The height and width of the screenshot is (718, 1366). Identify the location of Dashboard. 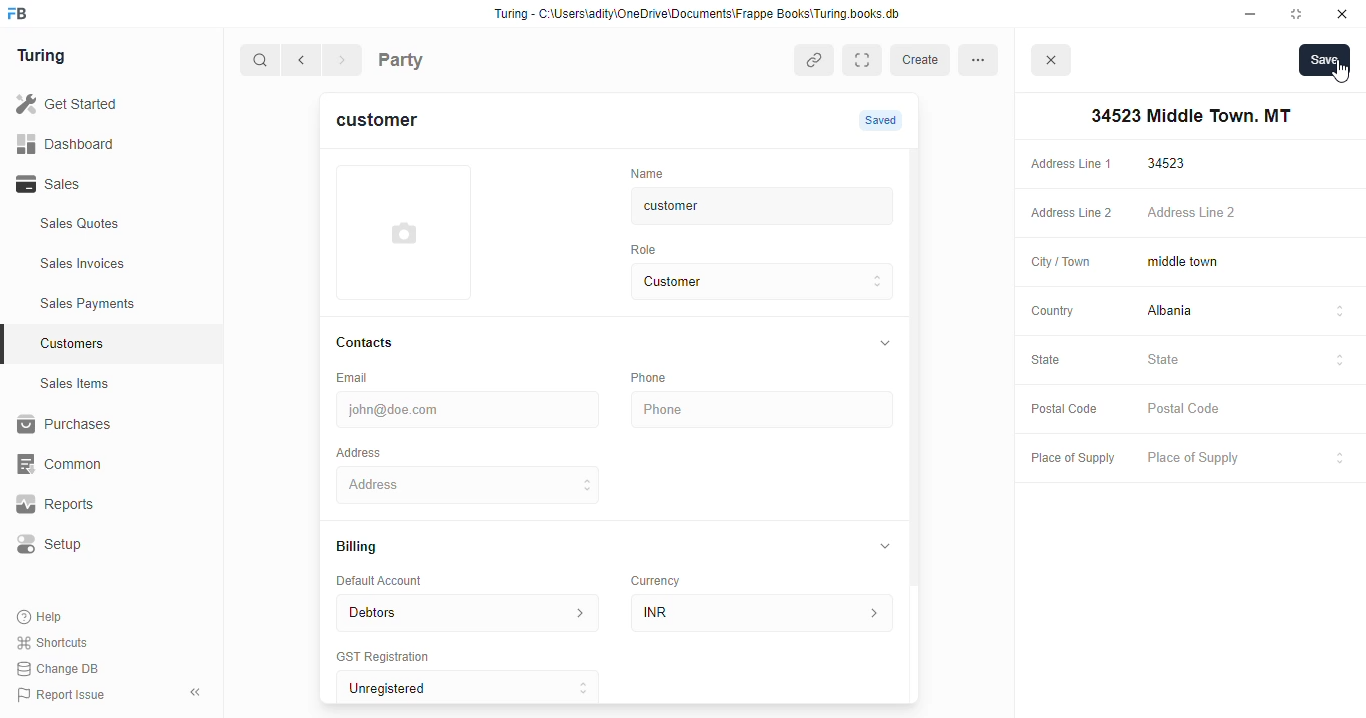
(95, 143).